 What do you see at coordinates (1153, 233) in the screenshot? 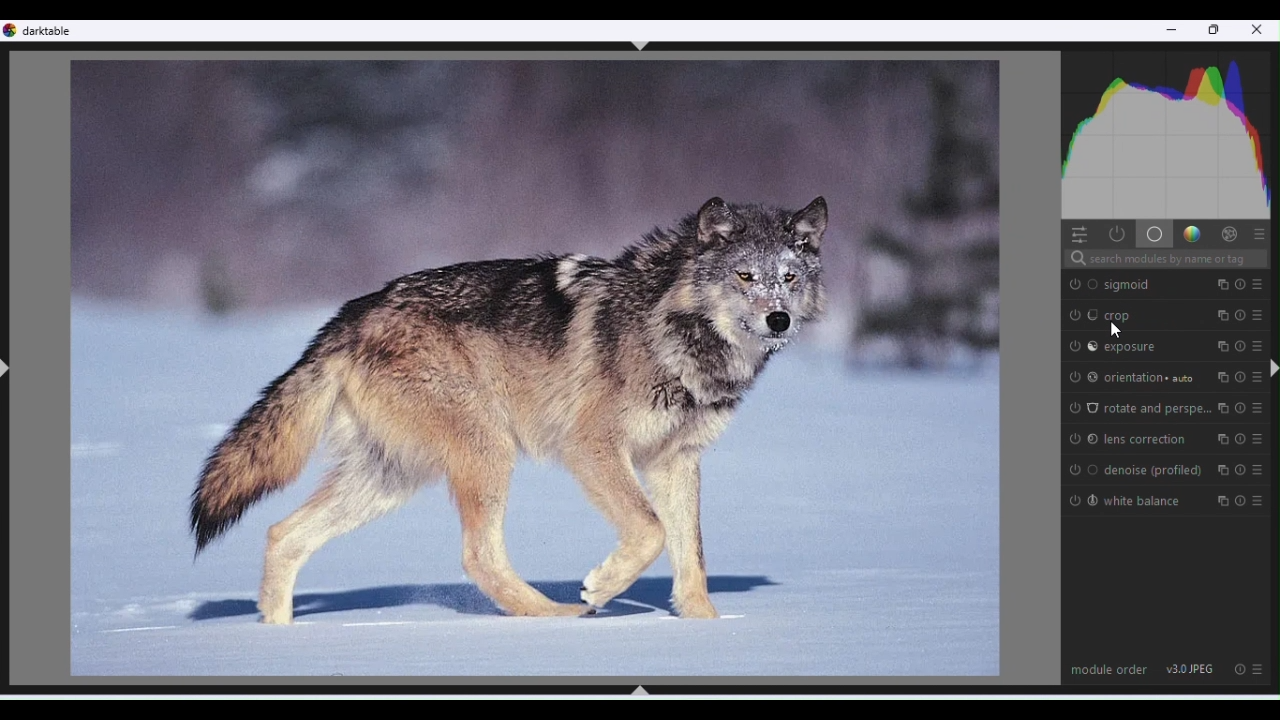
I see `Base` at bounding box center [1153, 233].